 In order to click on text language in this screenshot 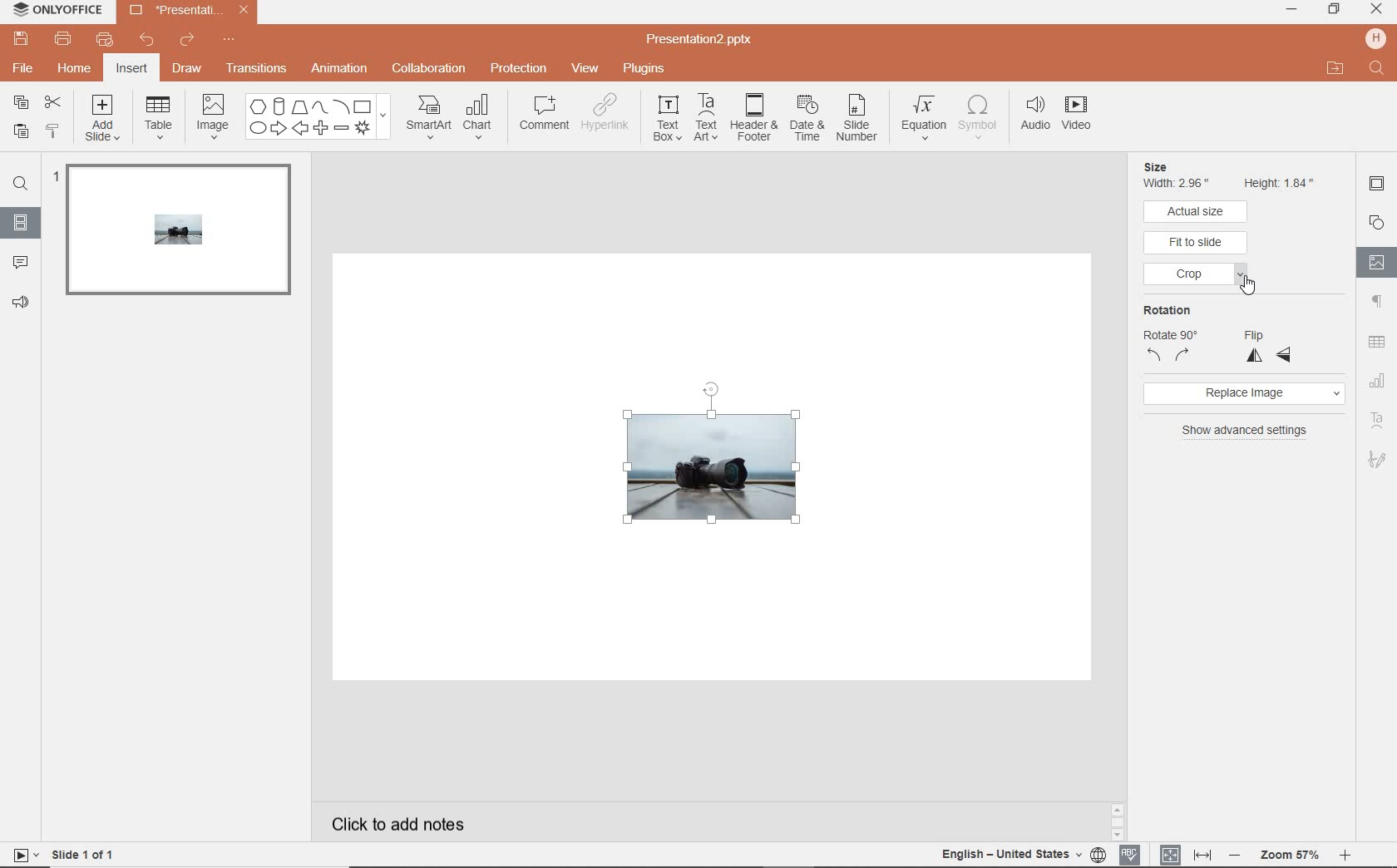, I will do `click(1025, 855)`.